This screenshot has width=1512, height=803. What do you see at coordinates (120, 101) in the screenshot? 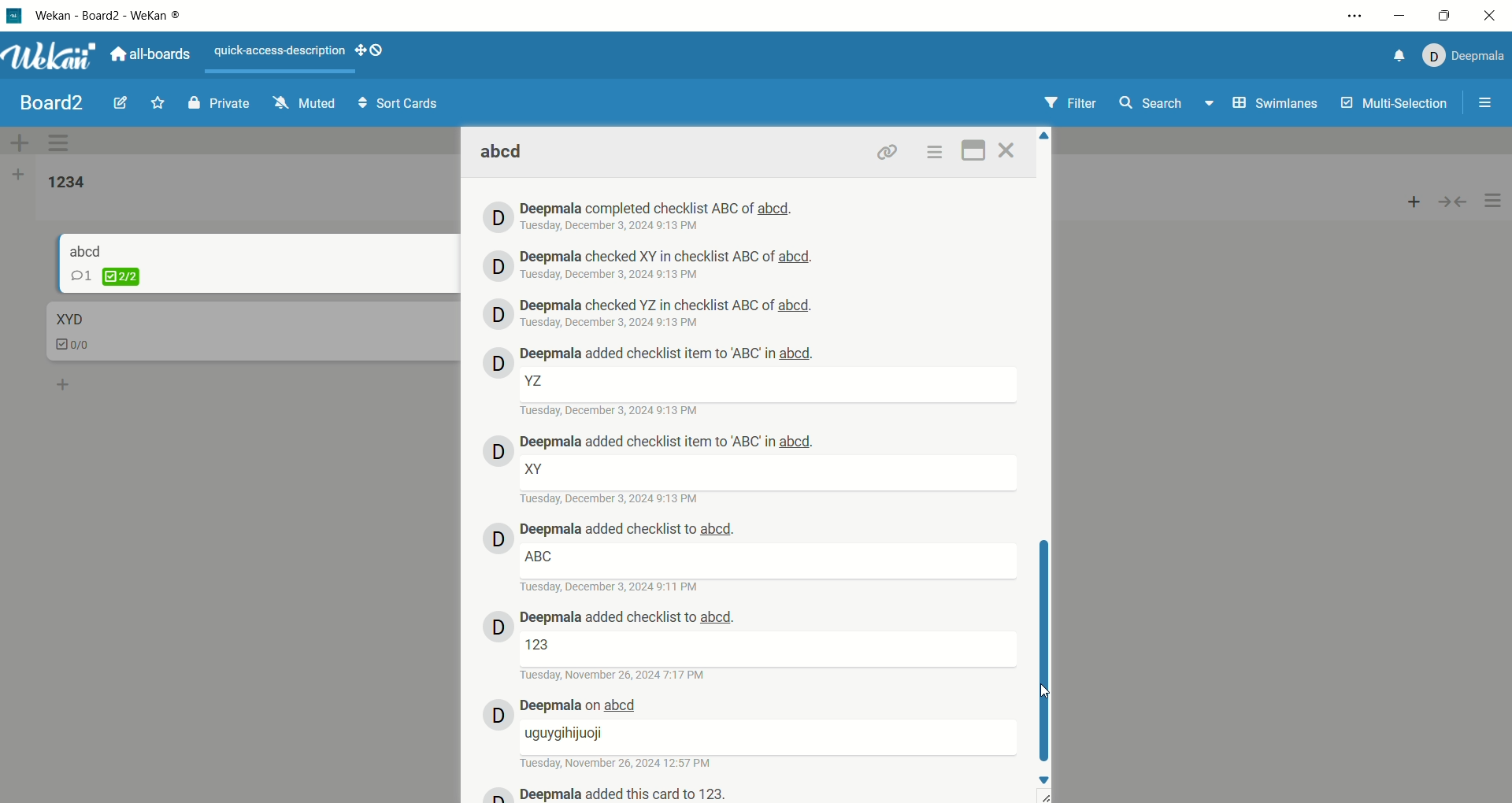
I see `edit` at bounding box center [120, 101].